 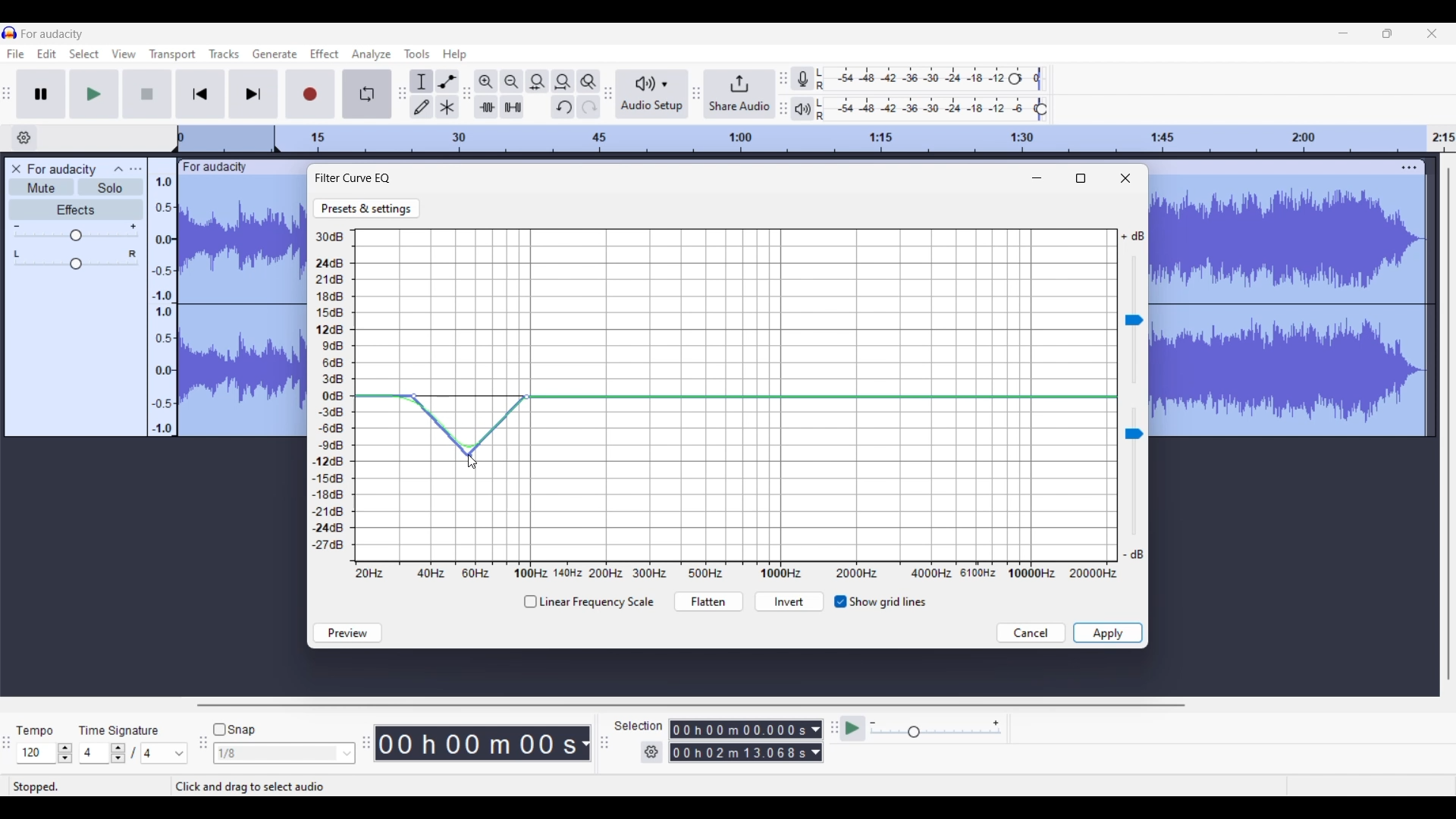 What do you see at coordinates (996, 723) in the screenshot?
I see `Max. playback speed` at bounding box center [996, 723].